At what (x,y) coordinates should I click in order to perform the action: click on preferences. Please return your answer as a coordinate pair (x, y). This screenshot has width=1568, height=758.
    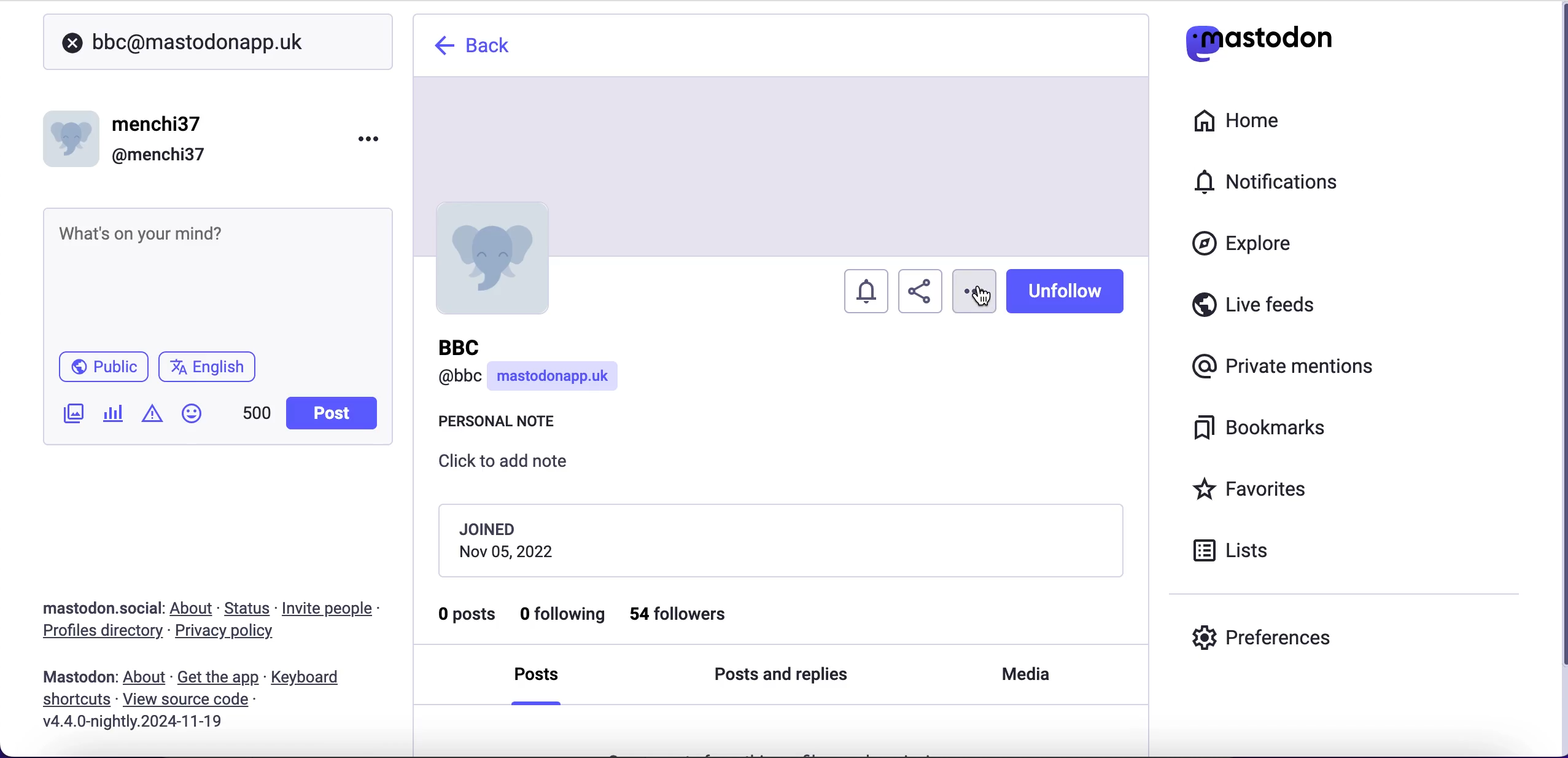
    Looking at the image, I should click on (1262, 637).